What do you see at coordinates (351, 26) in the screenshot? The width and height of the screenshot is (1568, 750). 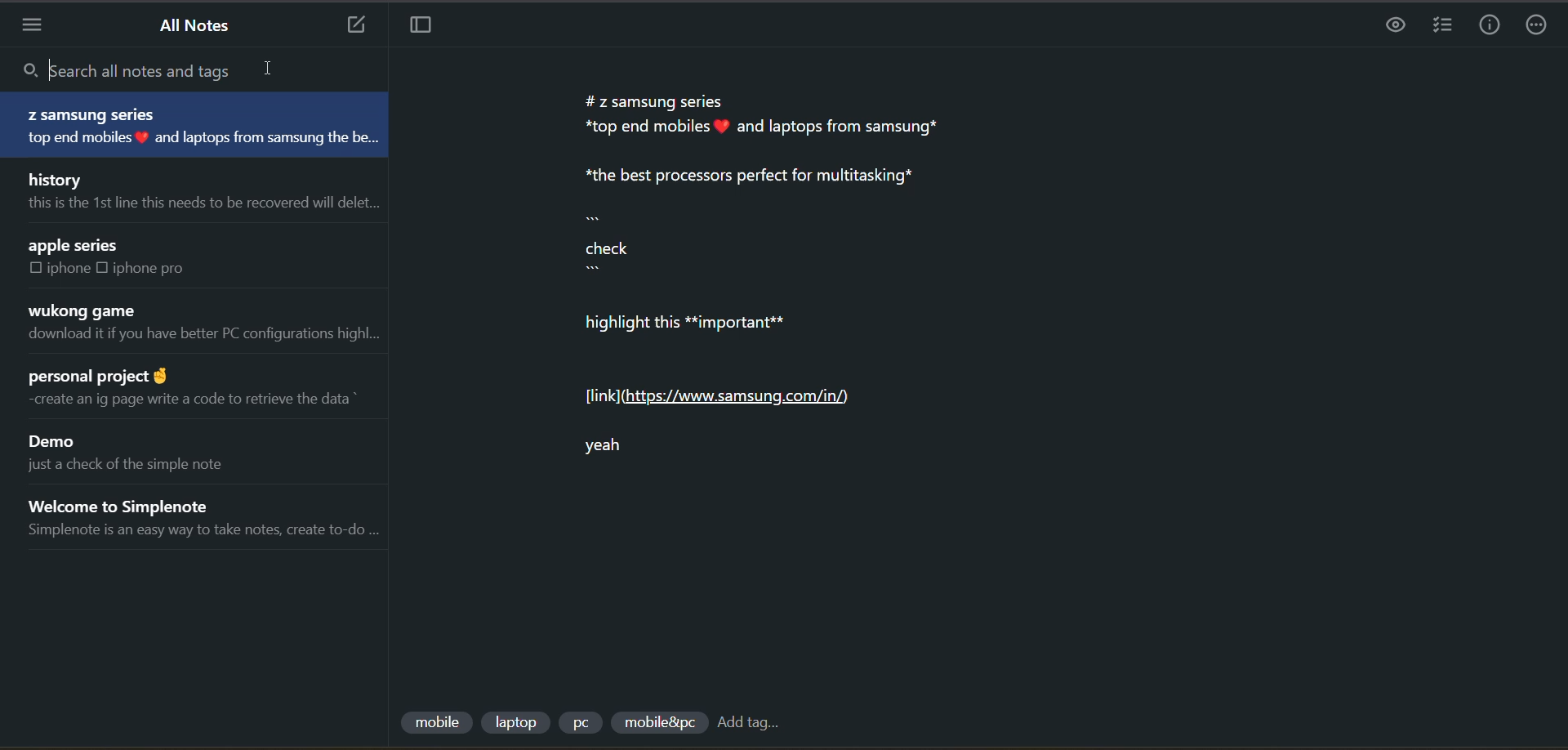 I see `add new note` at bounding box center [351, 26].